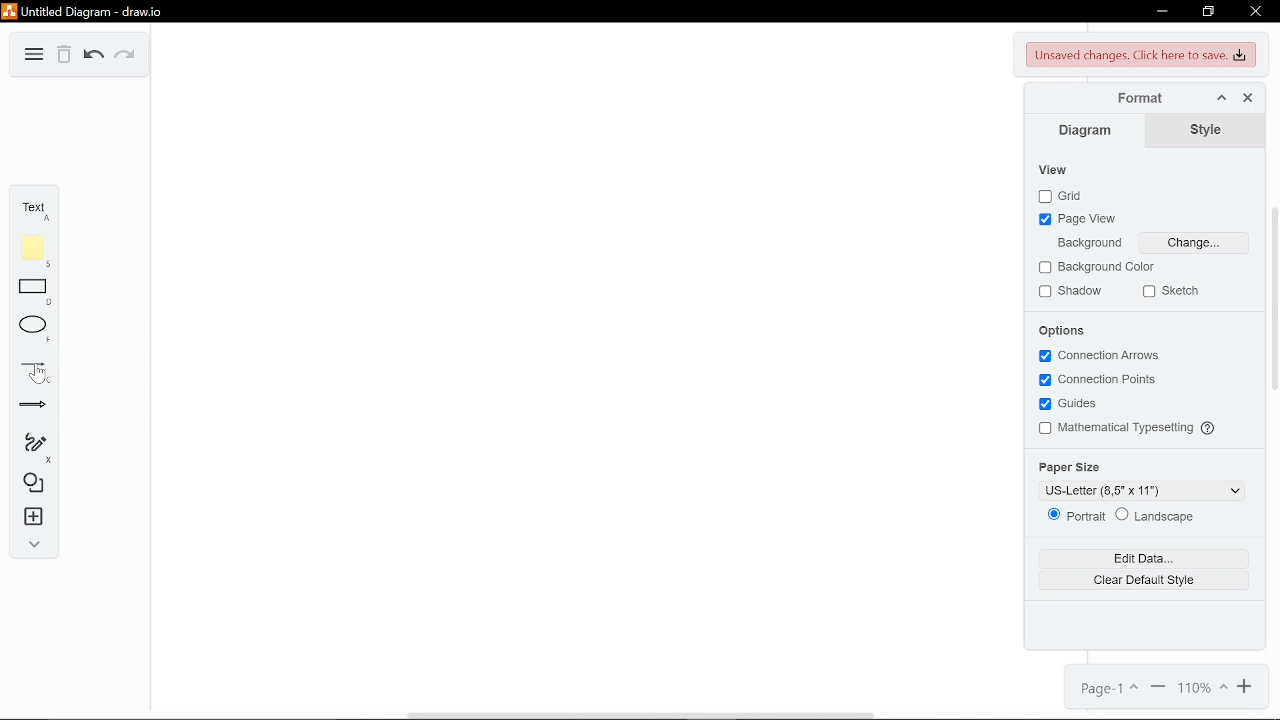 This screenshot has height=720, width=1280. Describe the element at coordinates (1086, 243) in the screenshot. I see `Background` at that location.